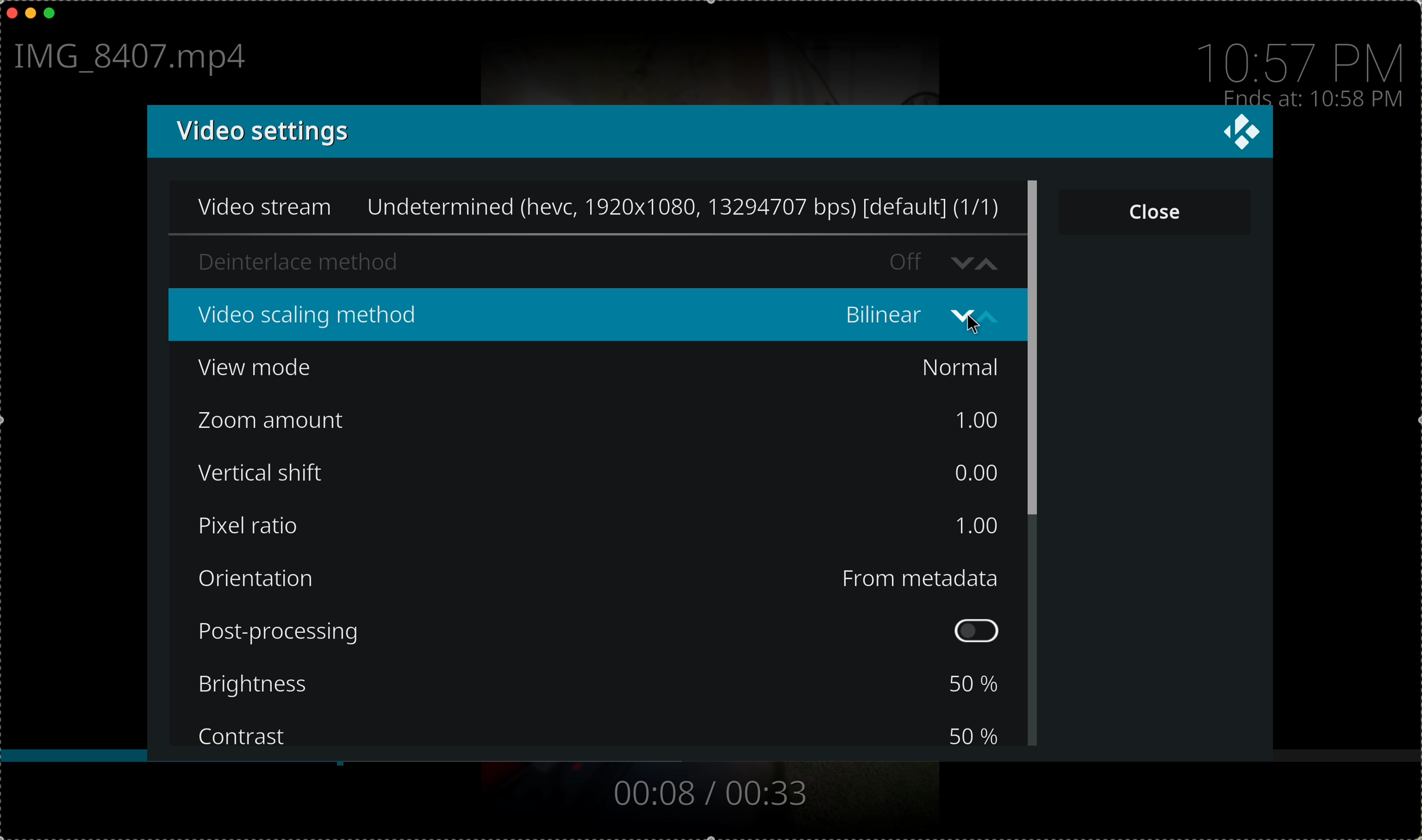 The height and width of the screenshot is (840, 1422). I want to click on video settings, so click(667, 132).